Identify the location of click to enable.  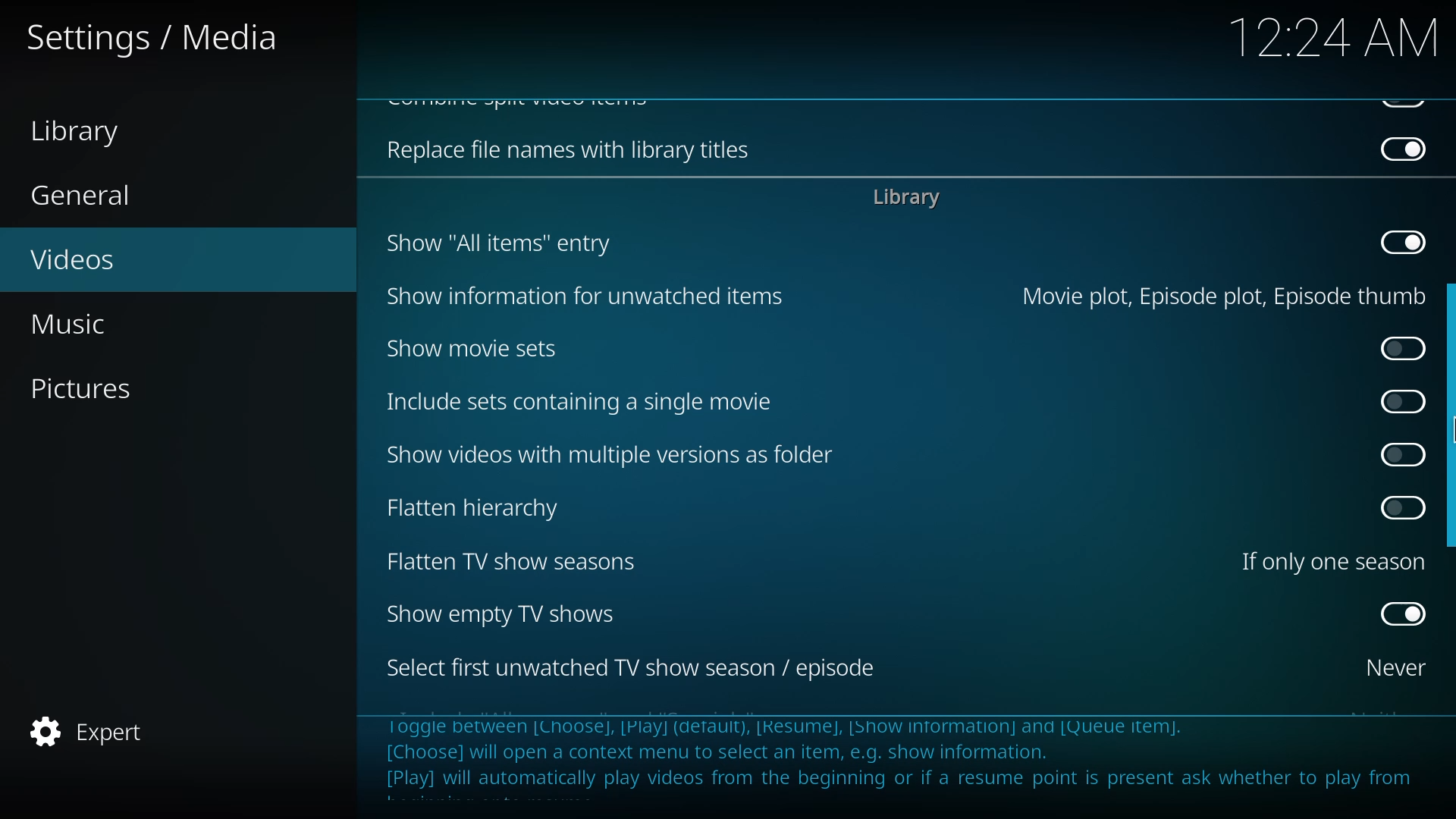
(1399, 508).